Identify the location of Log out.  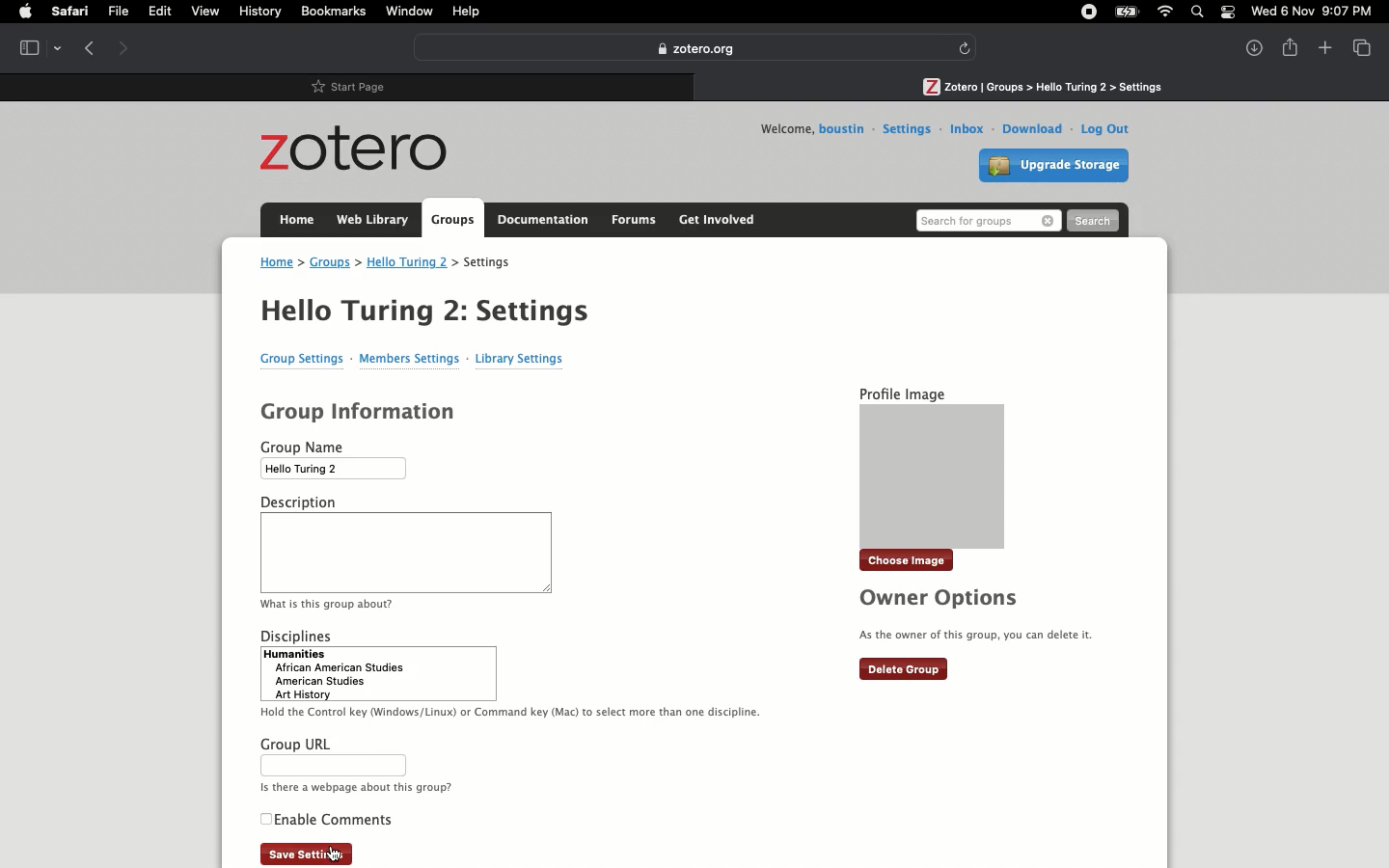
(1103, 128).